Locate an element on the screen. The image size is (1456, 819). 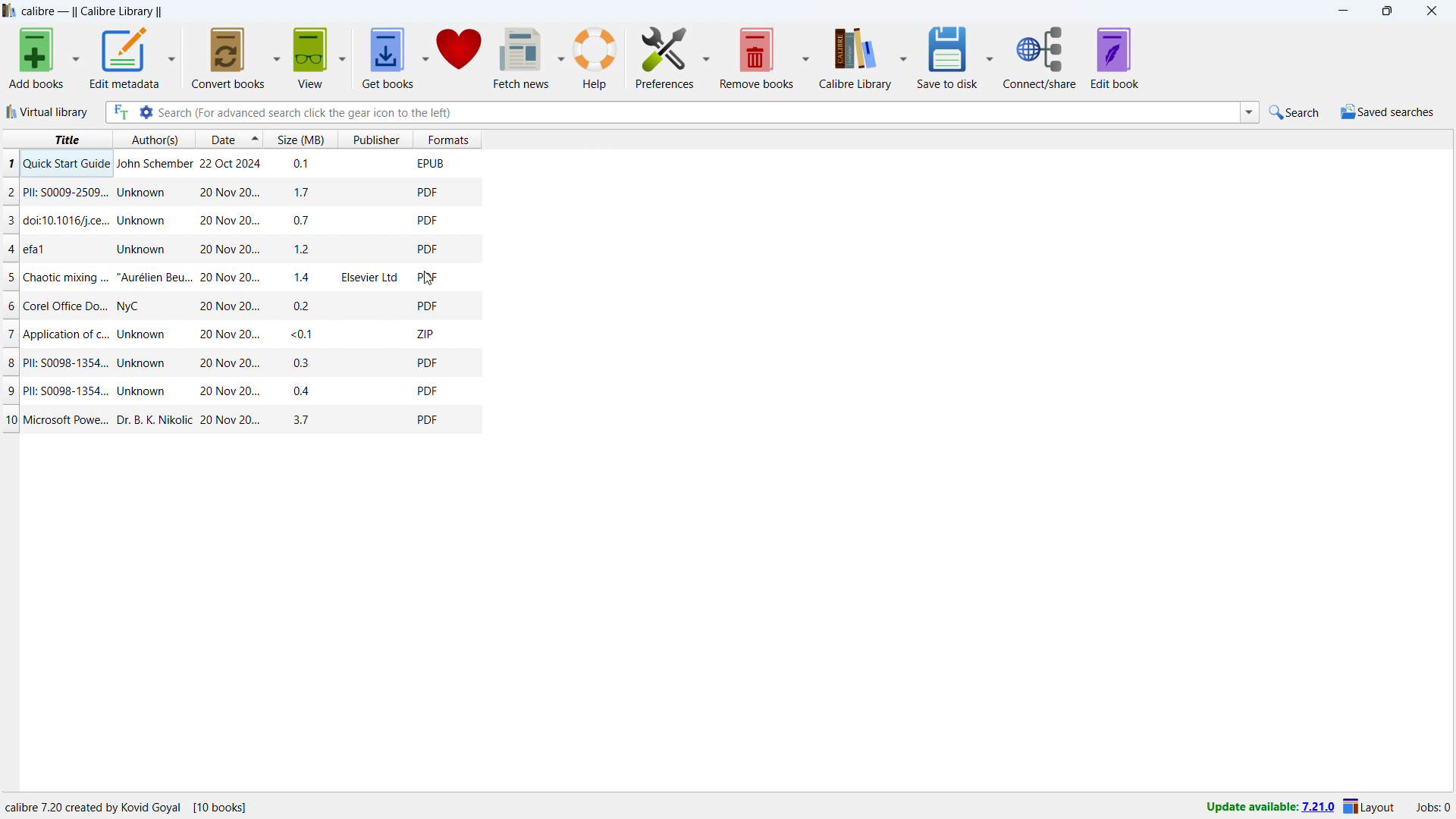
fetch news options is located at coordinates (561, 58).